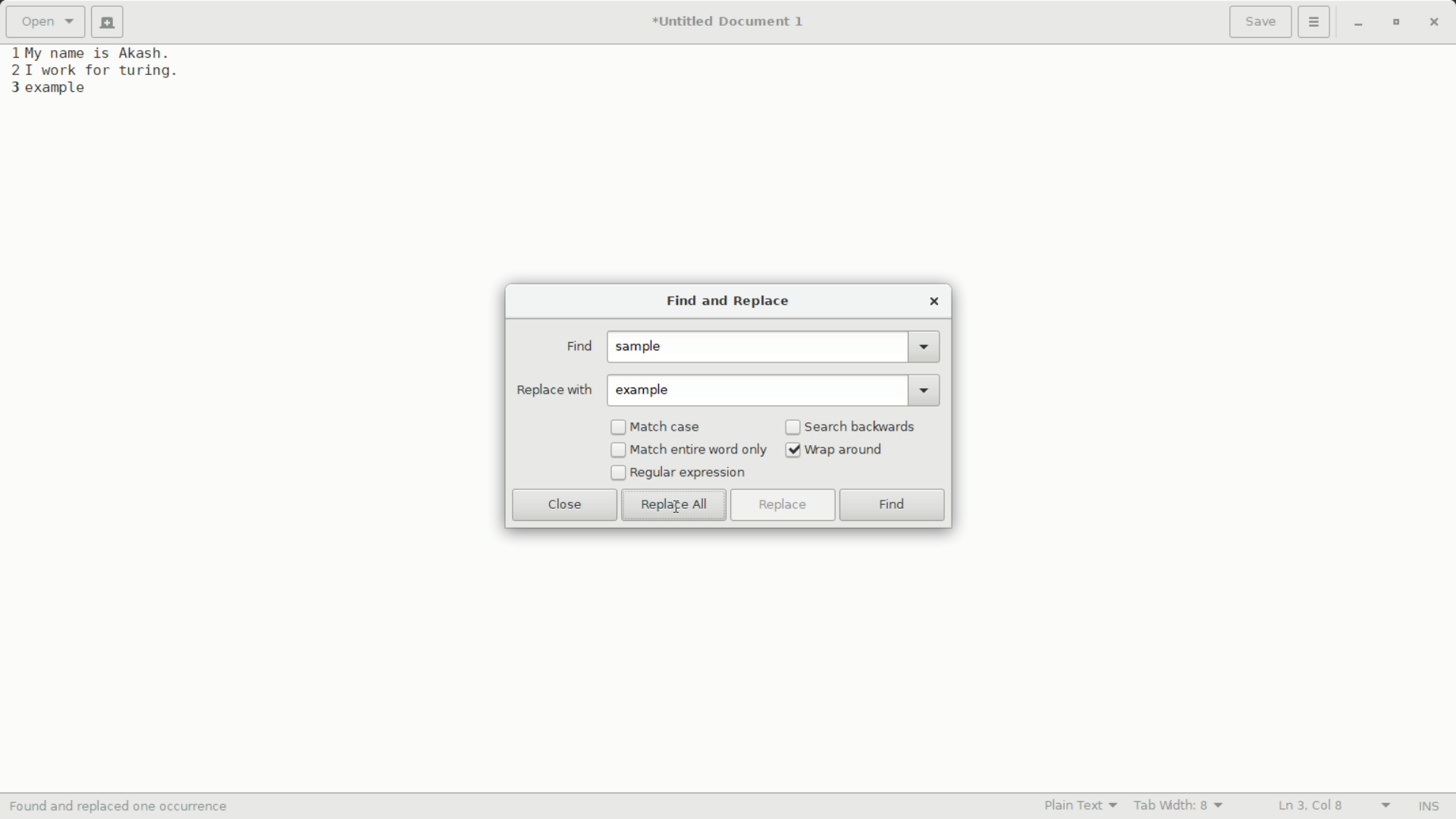 This screenshot has width=1456, height=819. Describe the element at coordinates (648, 391) in the screenshot. I see `example` at that location.